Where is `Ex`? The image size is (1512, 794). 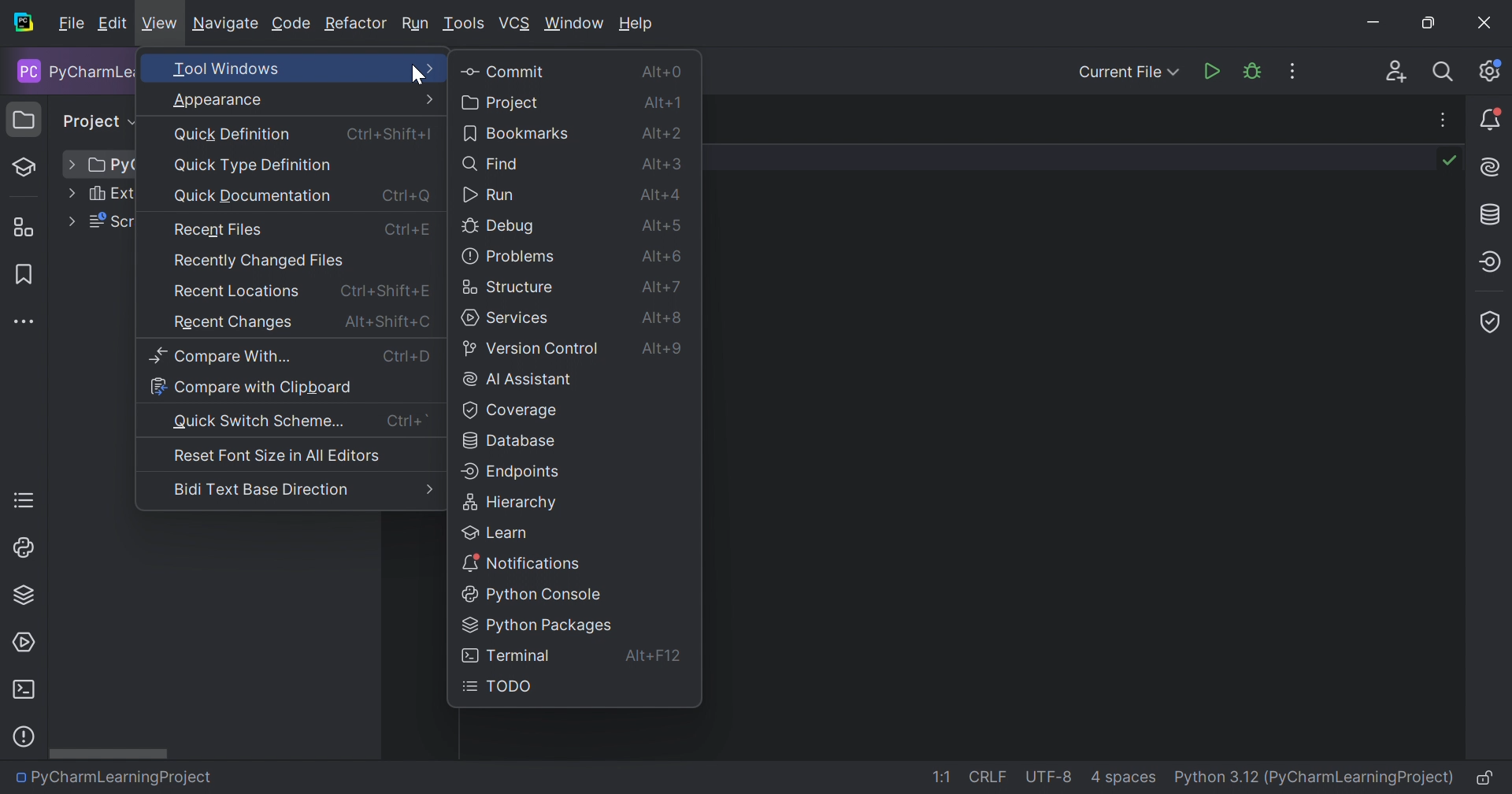 Ex is located at coordinates (109, 194).